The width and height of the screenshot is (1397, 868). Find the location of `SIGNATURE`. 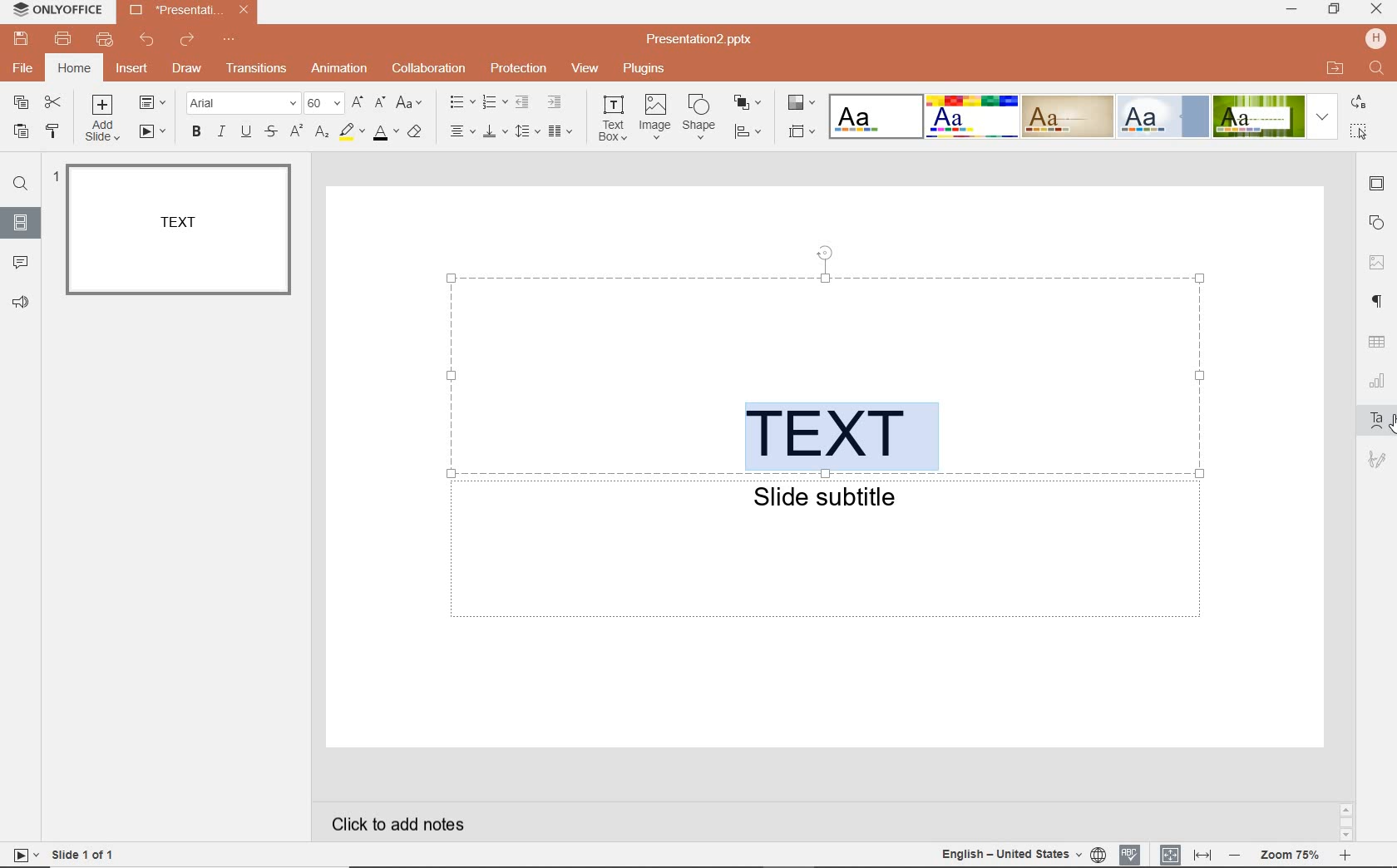

SIGNATURE is located at coordinates (1377, 460).